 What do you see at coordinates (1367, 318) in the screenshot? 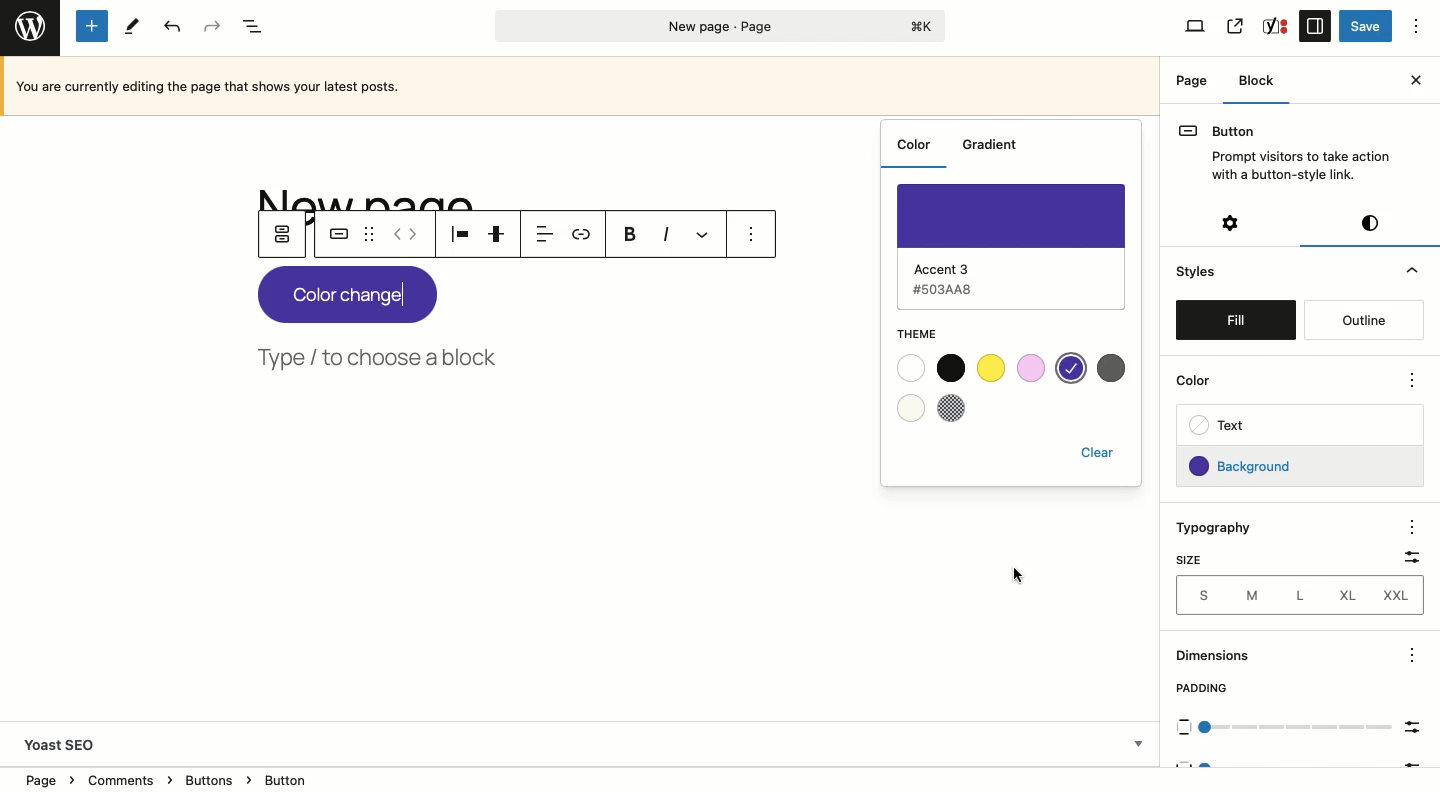
I see `Outline` at bounding box center [1367, 318].